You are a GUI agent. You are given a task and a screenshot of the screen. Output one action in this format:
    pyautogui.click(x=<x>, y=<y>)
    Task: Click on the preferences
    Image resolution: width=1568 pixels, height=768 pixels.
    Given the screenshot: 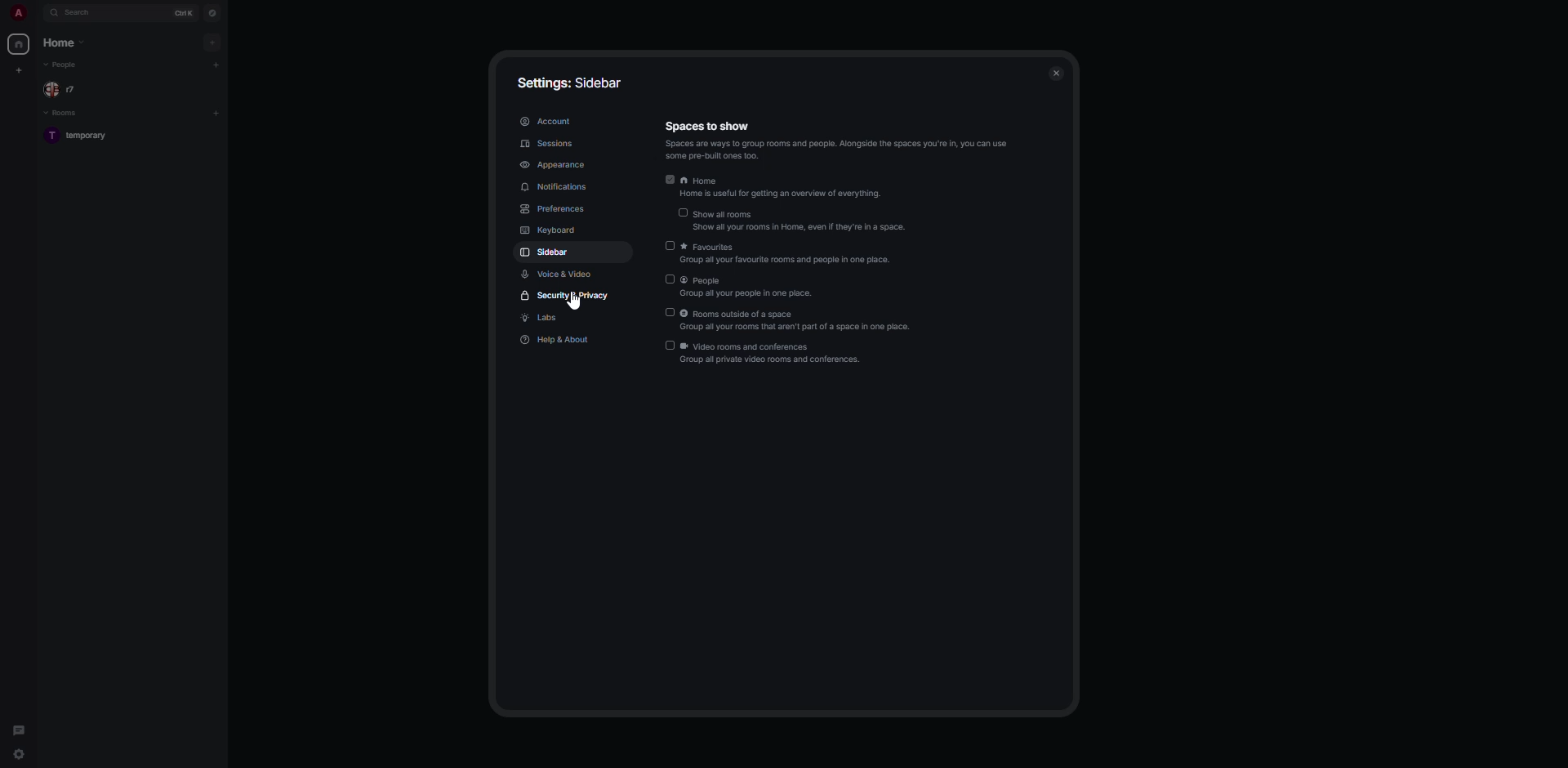 What is the action you would take?
    pyautogui.click(x=562, y=209)
    